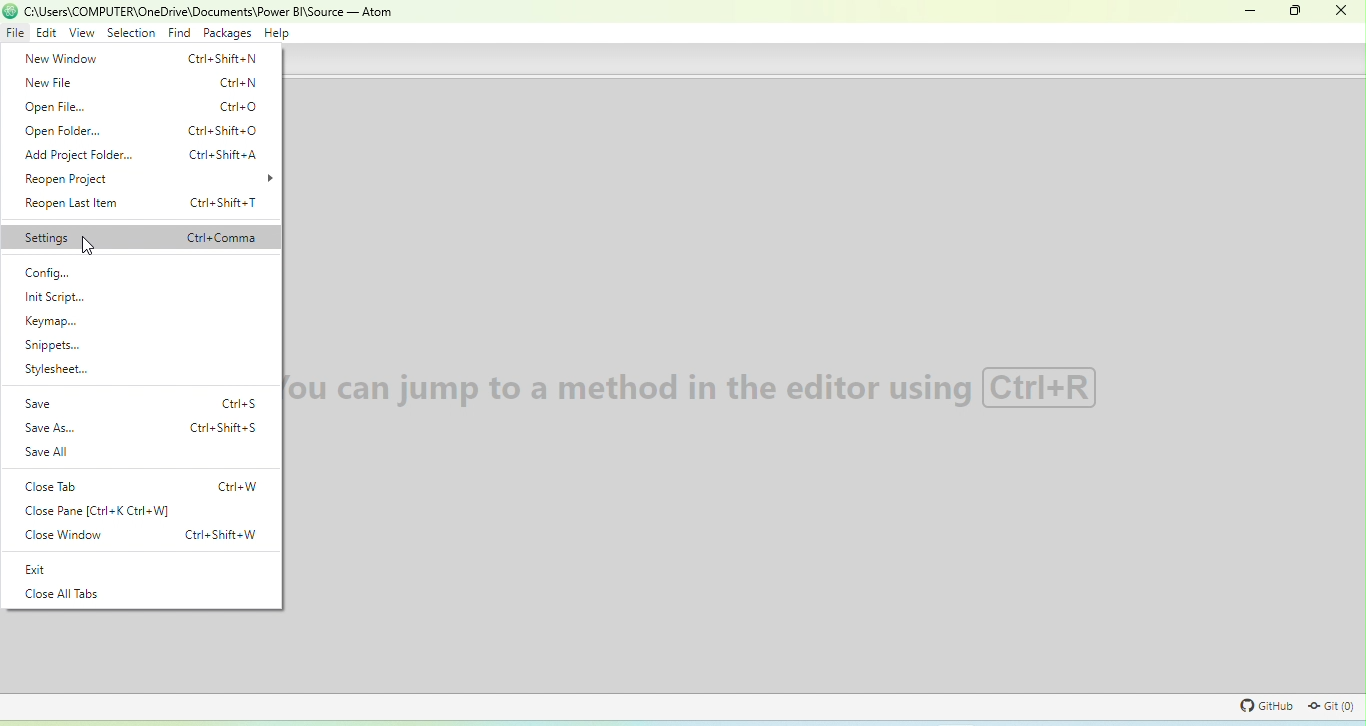  Describe the element at coordinates (143, 130) in the screenshot. I see `open folder` at that location.